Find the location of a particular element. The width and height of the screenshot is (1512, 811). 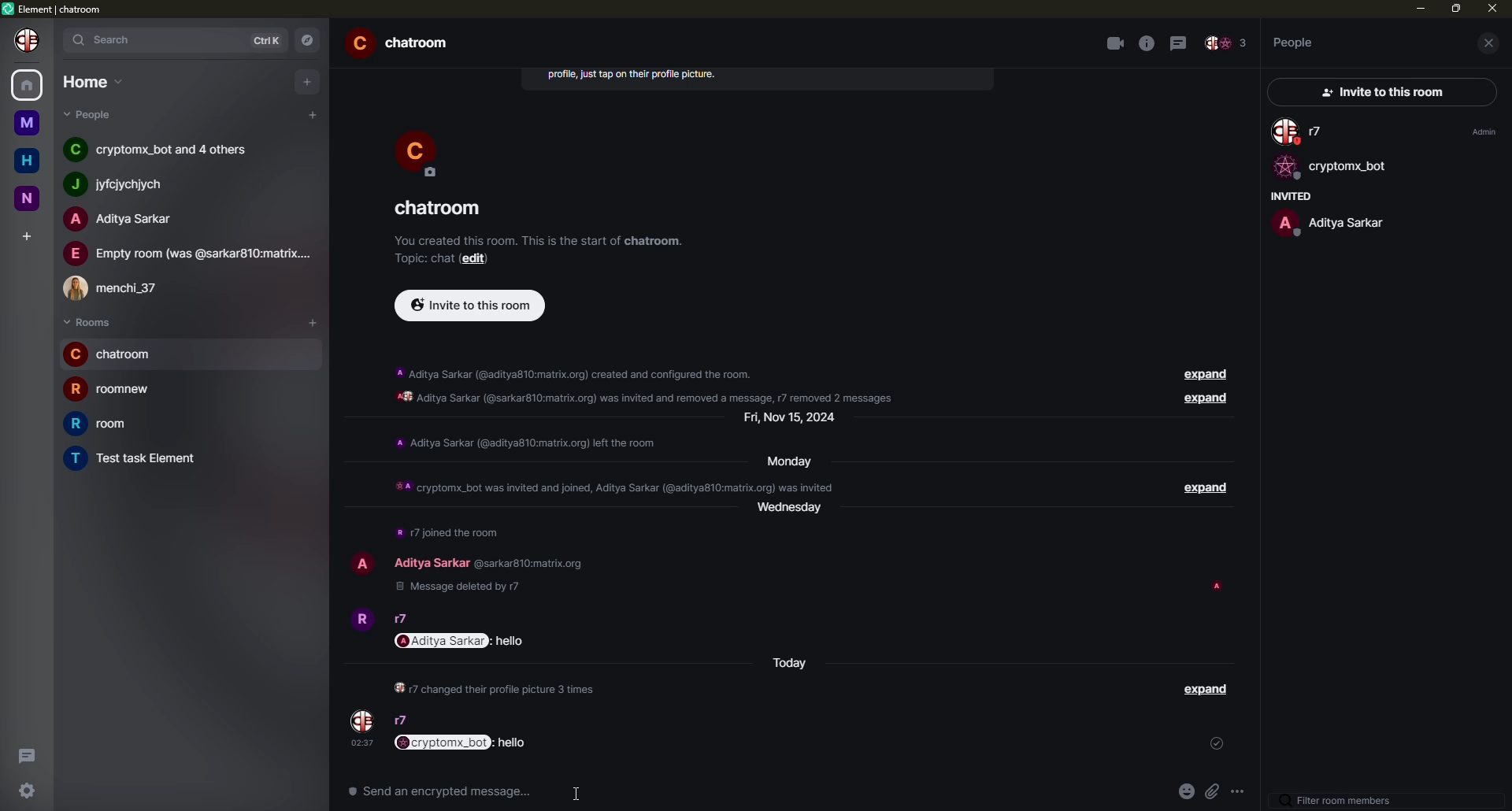

add is located at coordinates (309, 80).